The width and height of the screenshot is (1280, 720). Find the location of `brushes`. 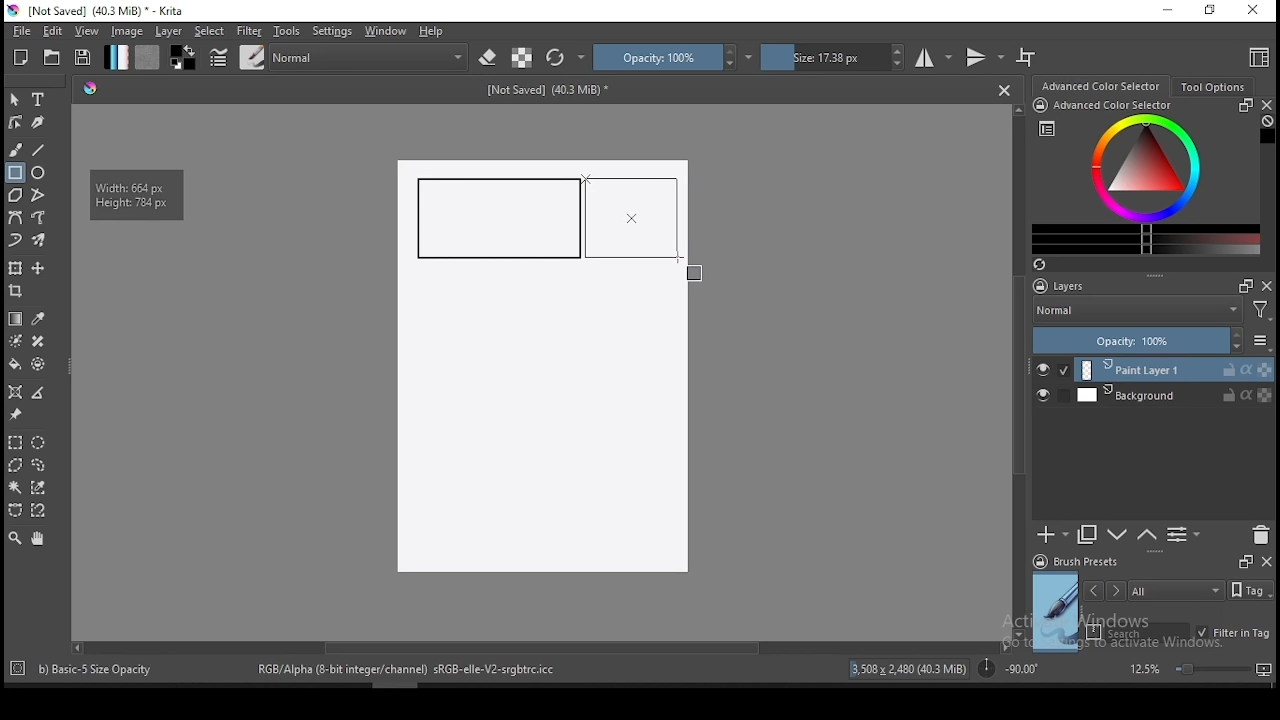

brushes is located at coordinates (252, 57).